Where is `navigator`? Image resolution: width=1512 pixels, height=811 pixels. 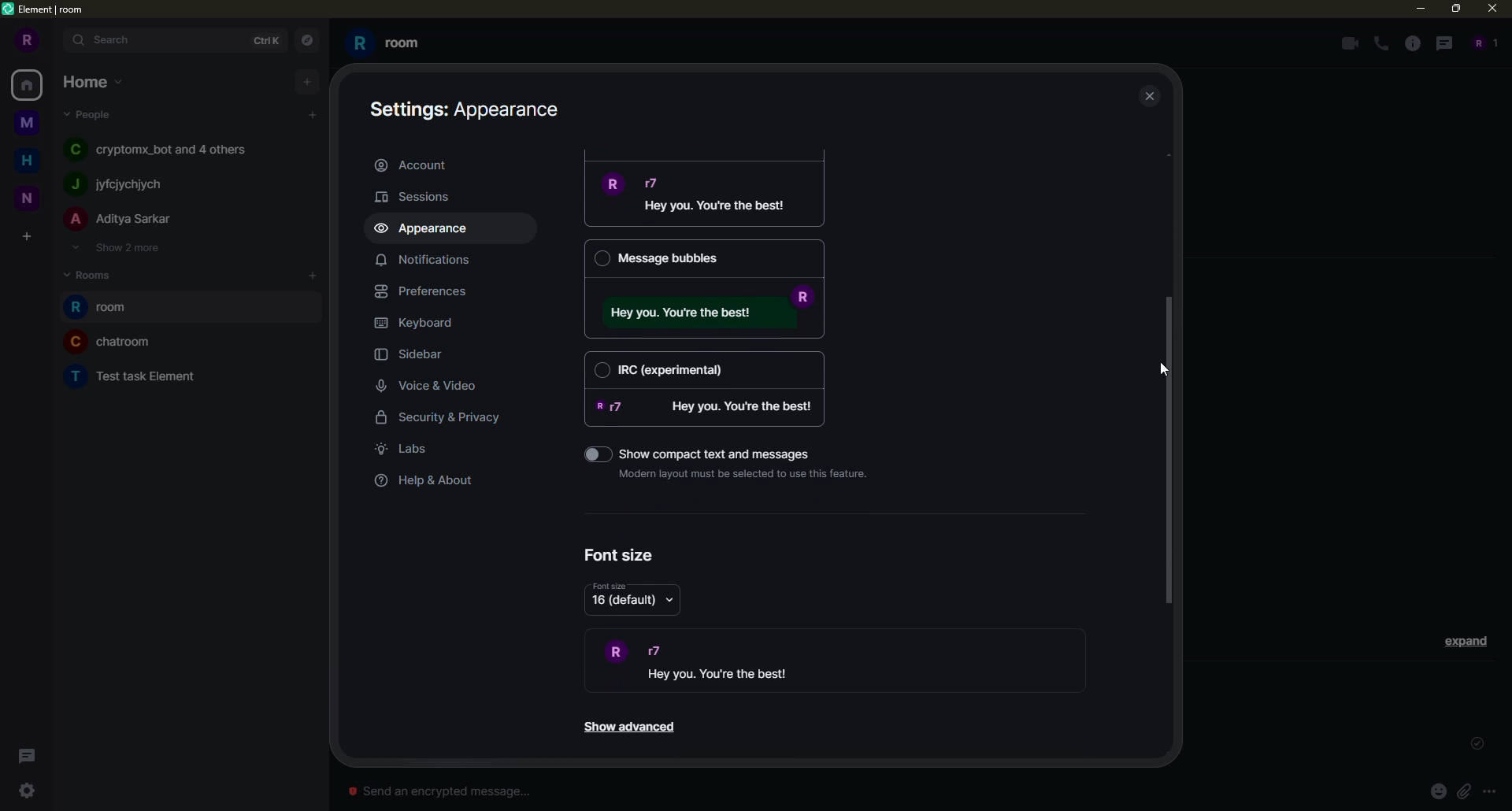
navigator is located at coordinates (306, 41).